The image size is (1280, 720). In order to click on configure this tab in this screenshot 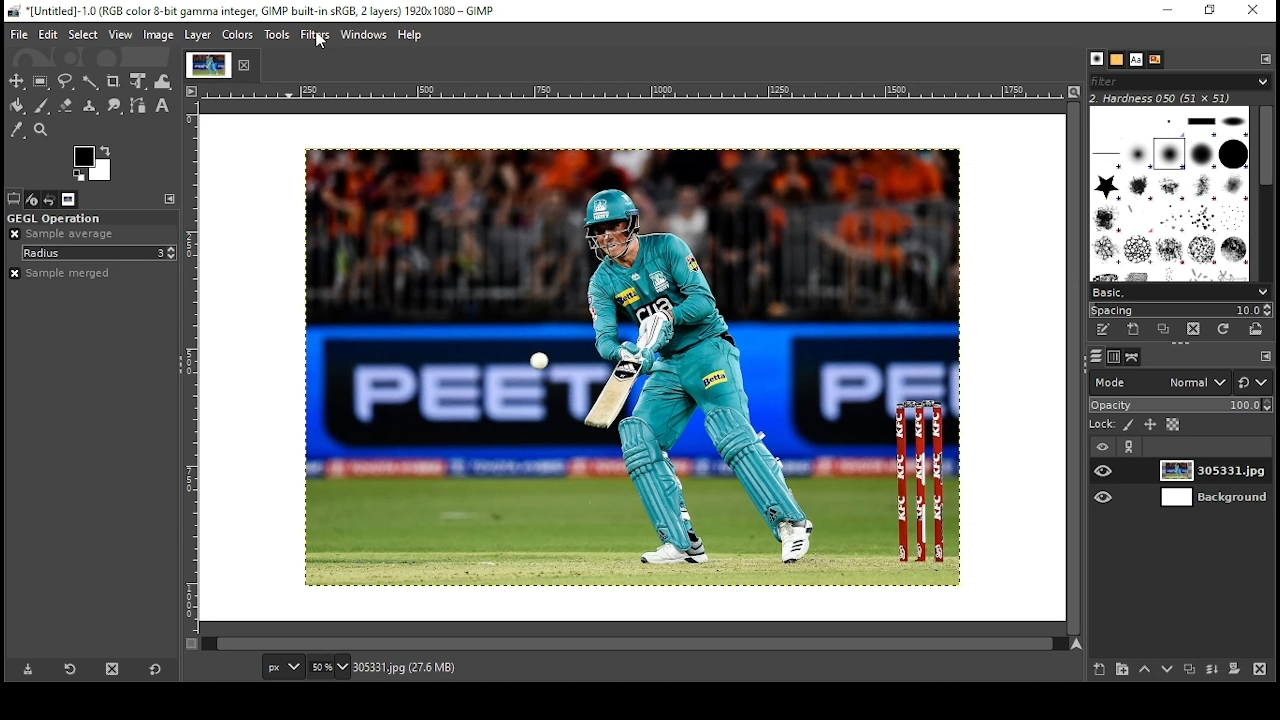, I will do `click(1264, 358)`.